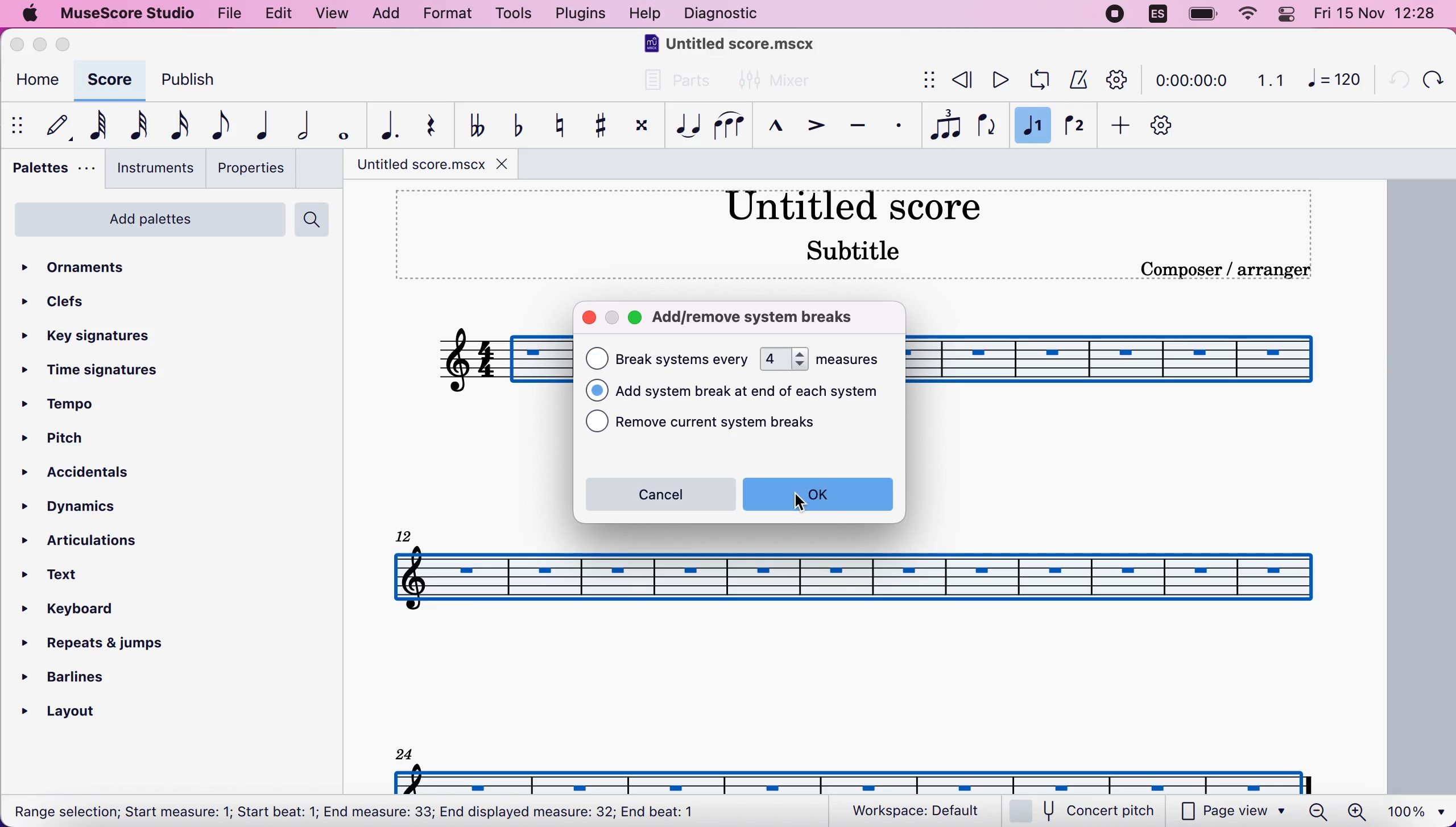 The width and height of the screenshot is (1456, 827). Describe the element at coordinates (1289, 14) in the screenshot. I see `panel control` at that location.